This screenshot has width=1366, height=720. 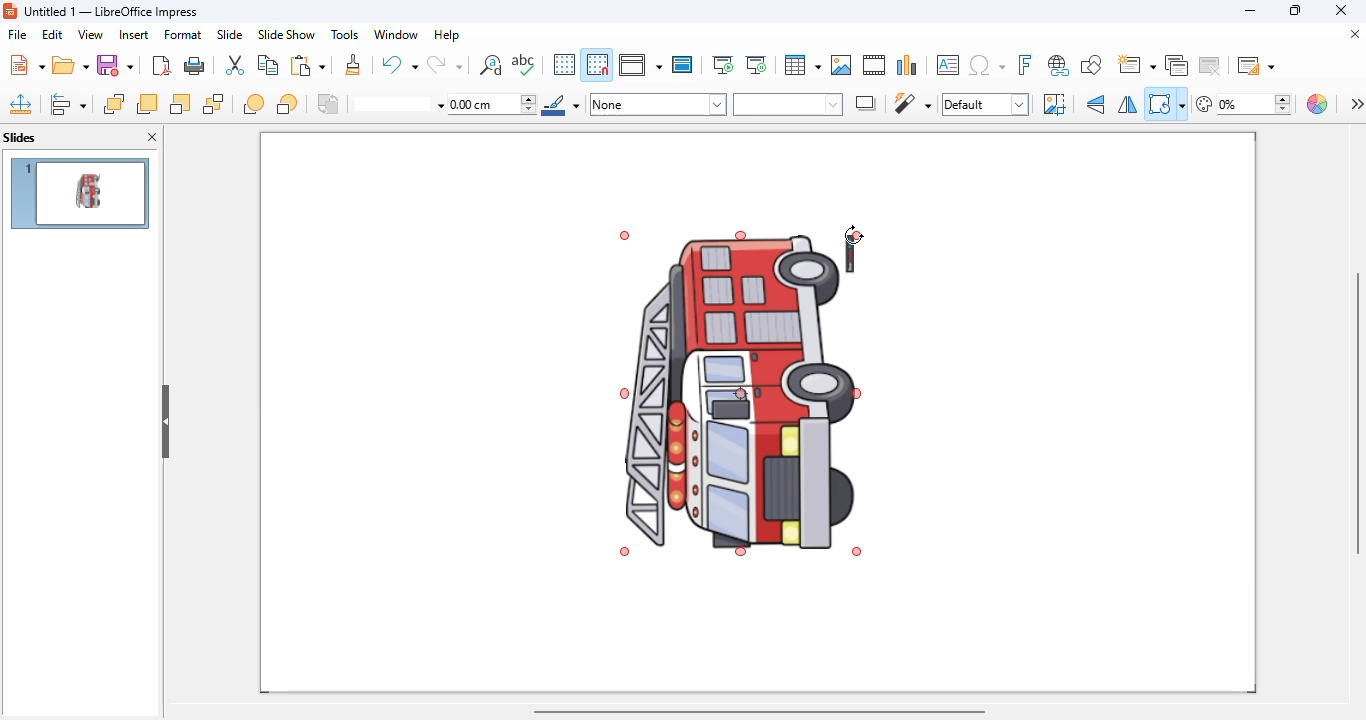 I want to click on tools, so click(x=344, y=34).